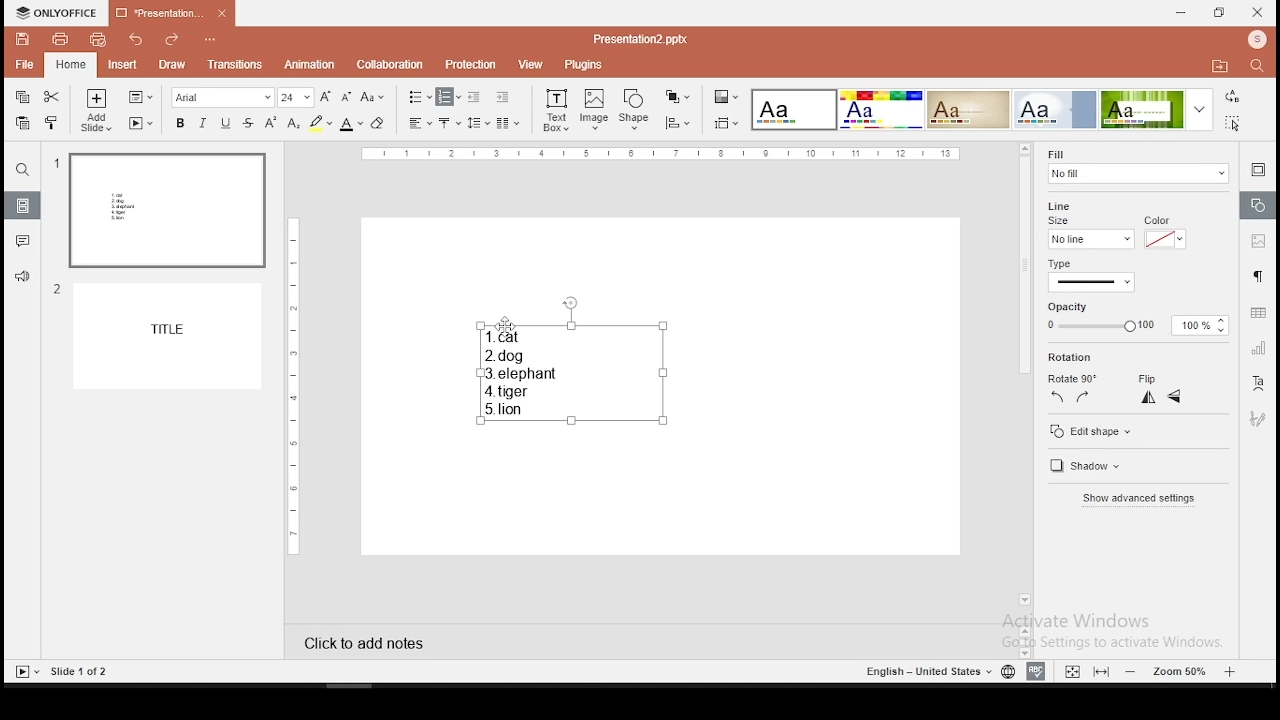  I want to click on subscript, so click(293, 123).